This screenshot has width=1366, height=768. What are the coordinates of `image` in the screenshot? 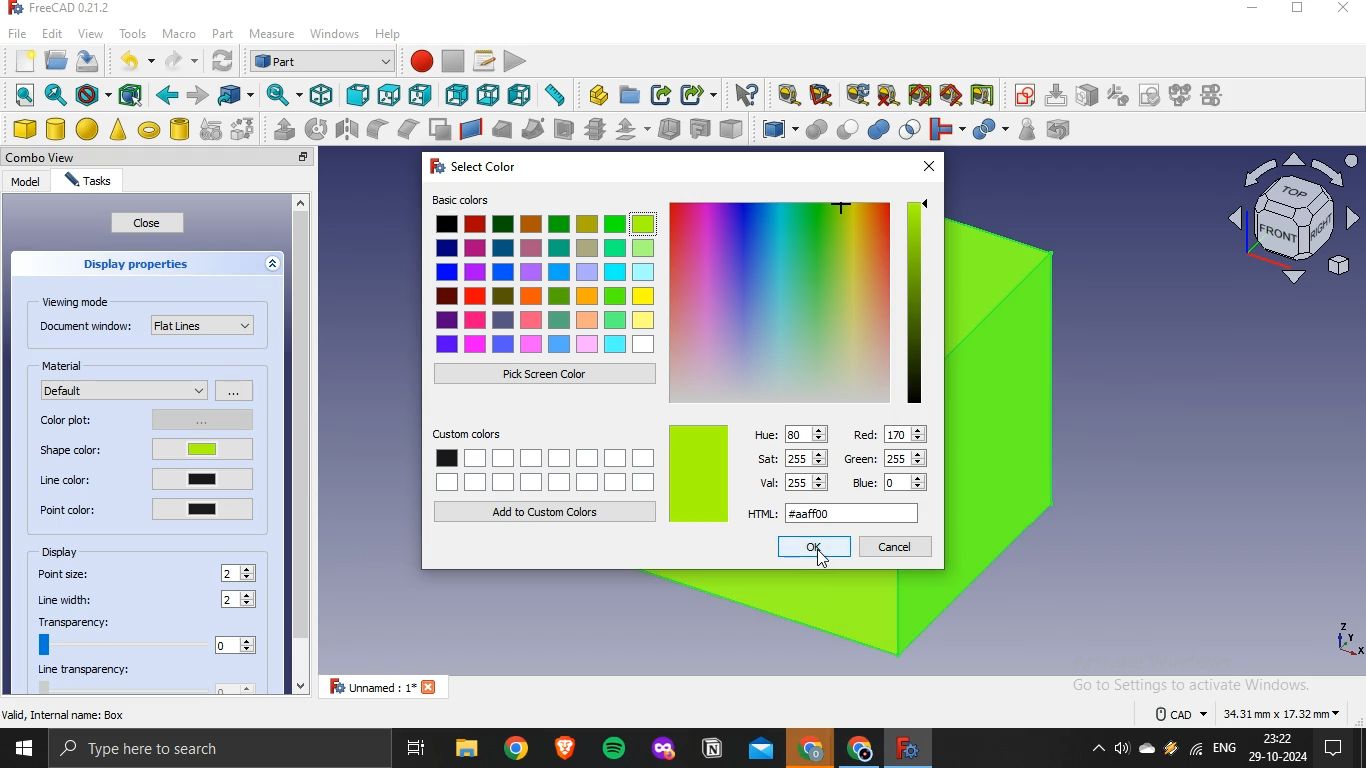 It's located at (800, 300).